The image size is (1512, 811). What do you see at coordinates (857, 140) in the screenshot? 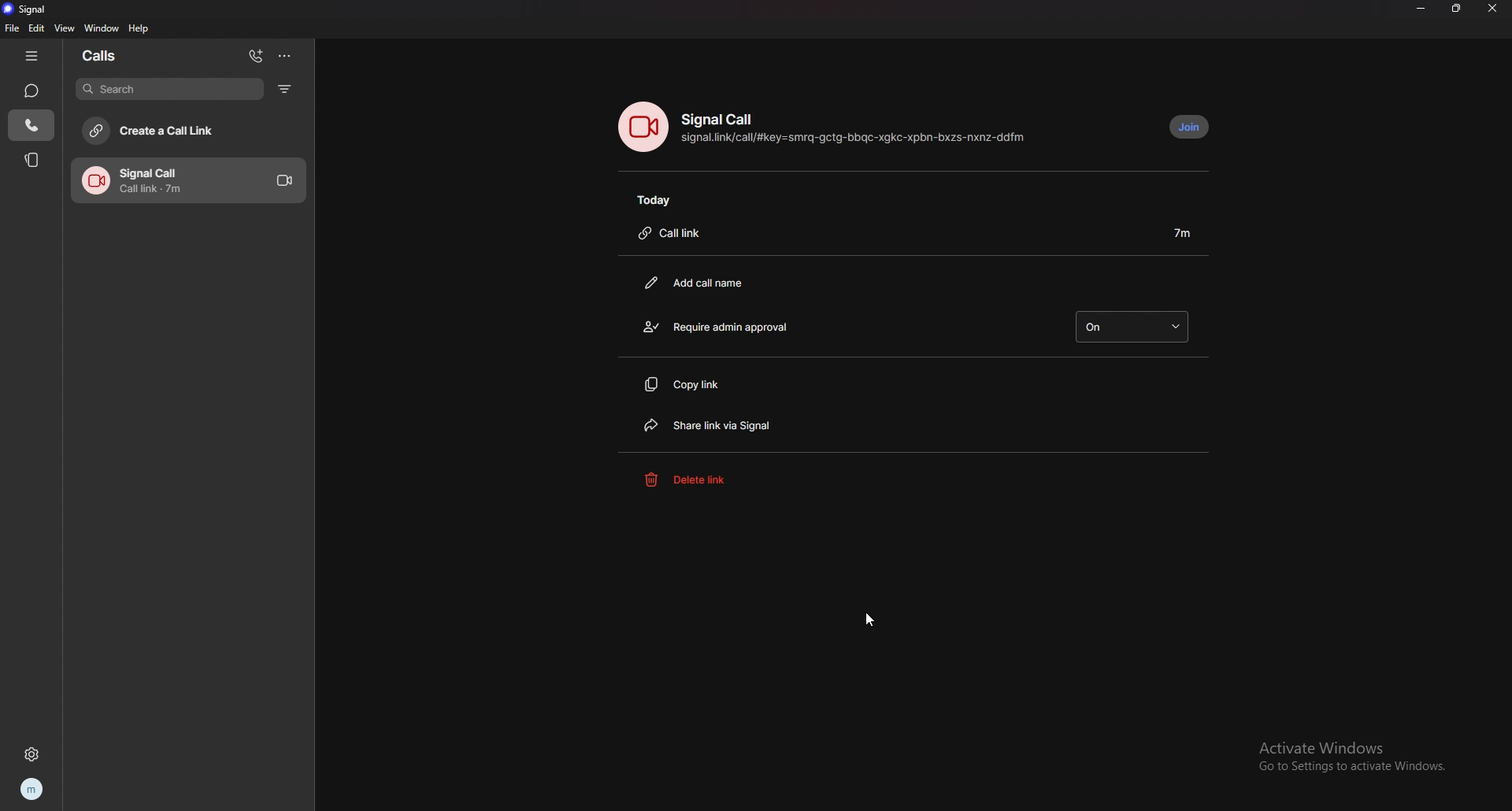
I see `signal.link/call/#key=smrq-gctg-bbqc-xgkc-xpbn-bxzs-nxnz-ddfm` at bounding box center [857, 140].